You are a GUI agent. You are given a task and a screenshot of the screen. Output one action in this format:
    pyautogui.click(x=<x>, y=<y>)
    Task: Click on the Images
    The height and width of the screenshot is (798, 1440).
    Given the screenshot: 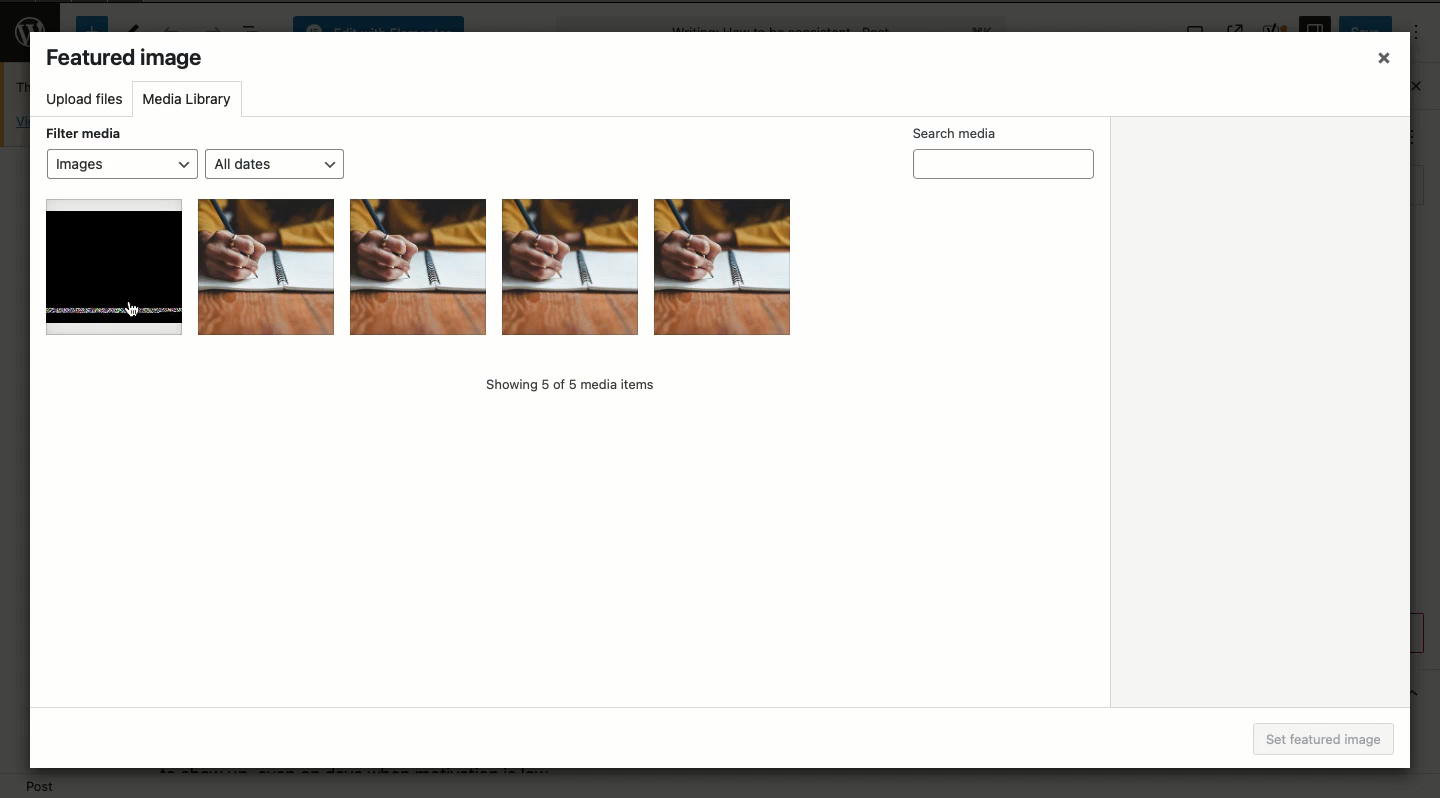 What is the action you would take?
    pyautogui.click(x=120, y=165)
    